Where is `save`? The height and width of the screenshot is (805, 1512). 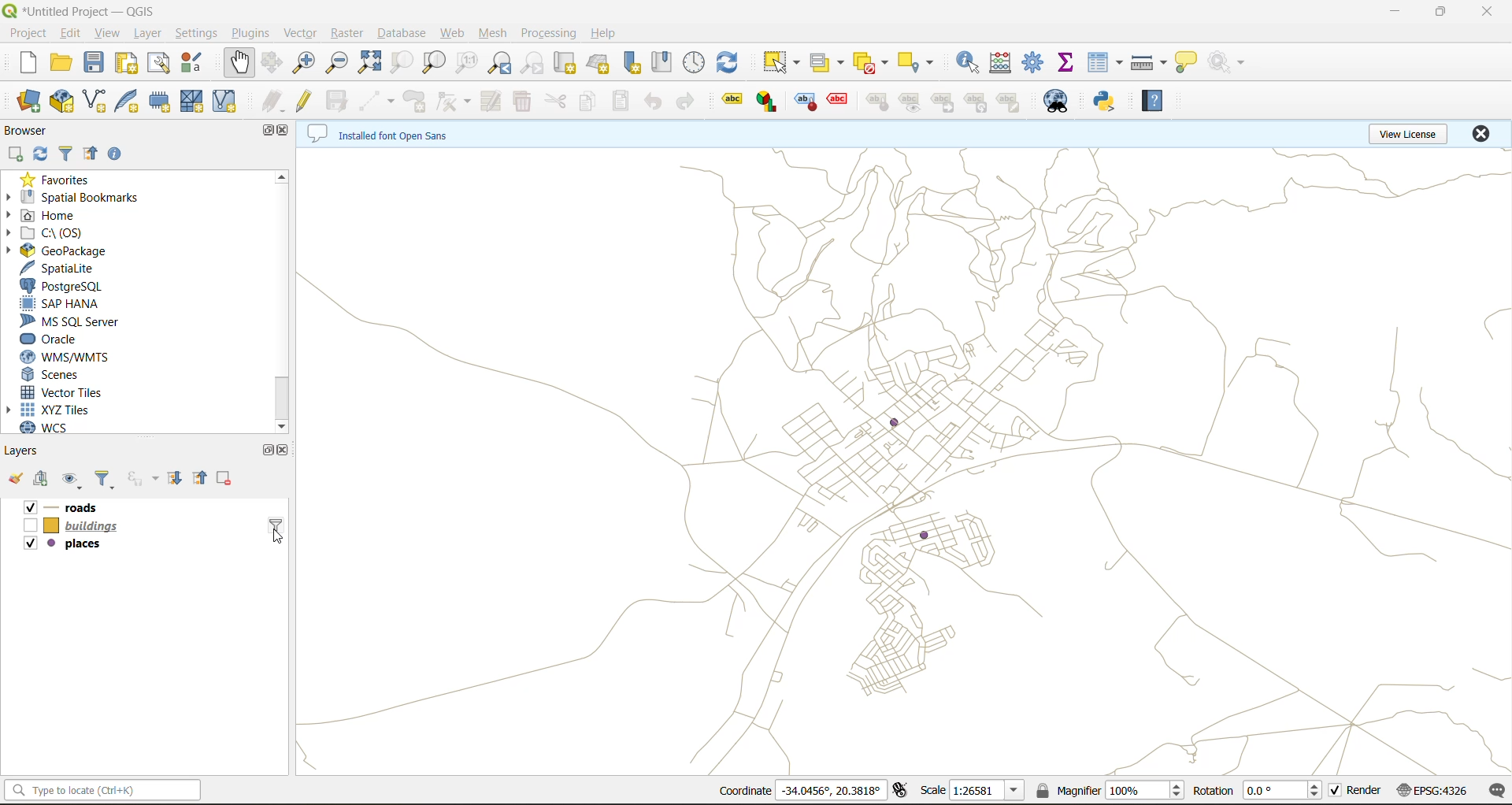
save is located at coordinates (93, 63).